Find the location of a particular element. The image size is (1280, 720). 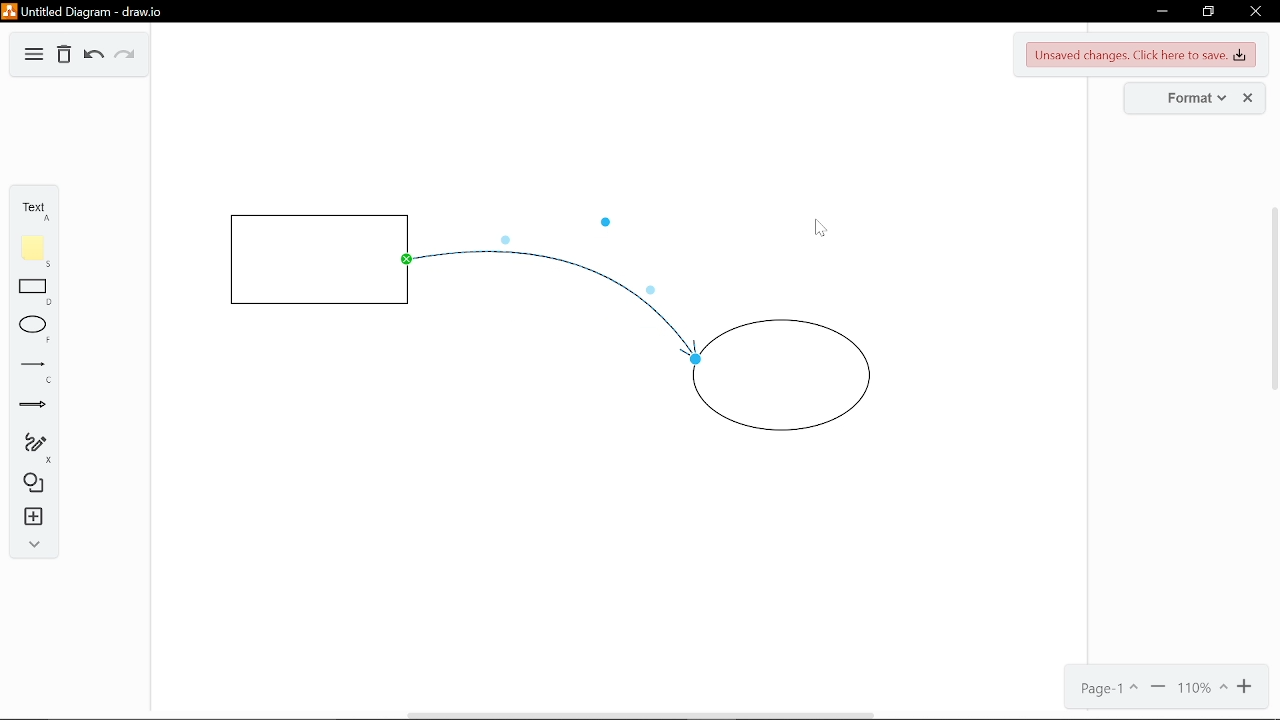

Zoom in is located at coordinates (1248, 687).